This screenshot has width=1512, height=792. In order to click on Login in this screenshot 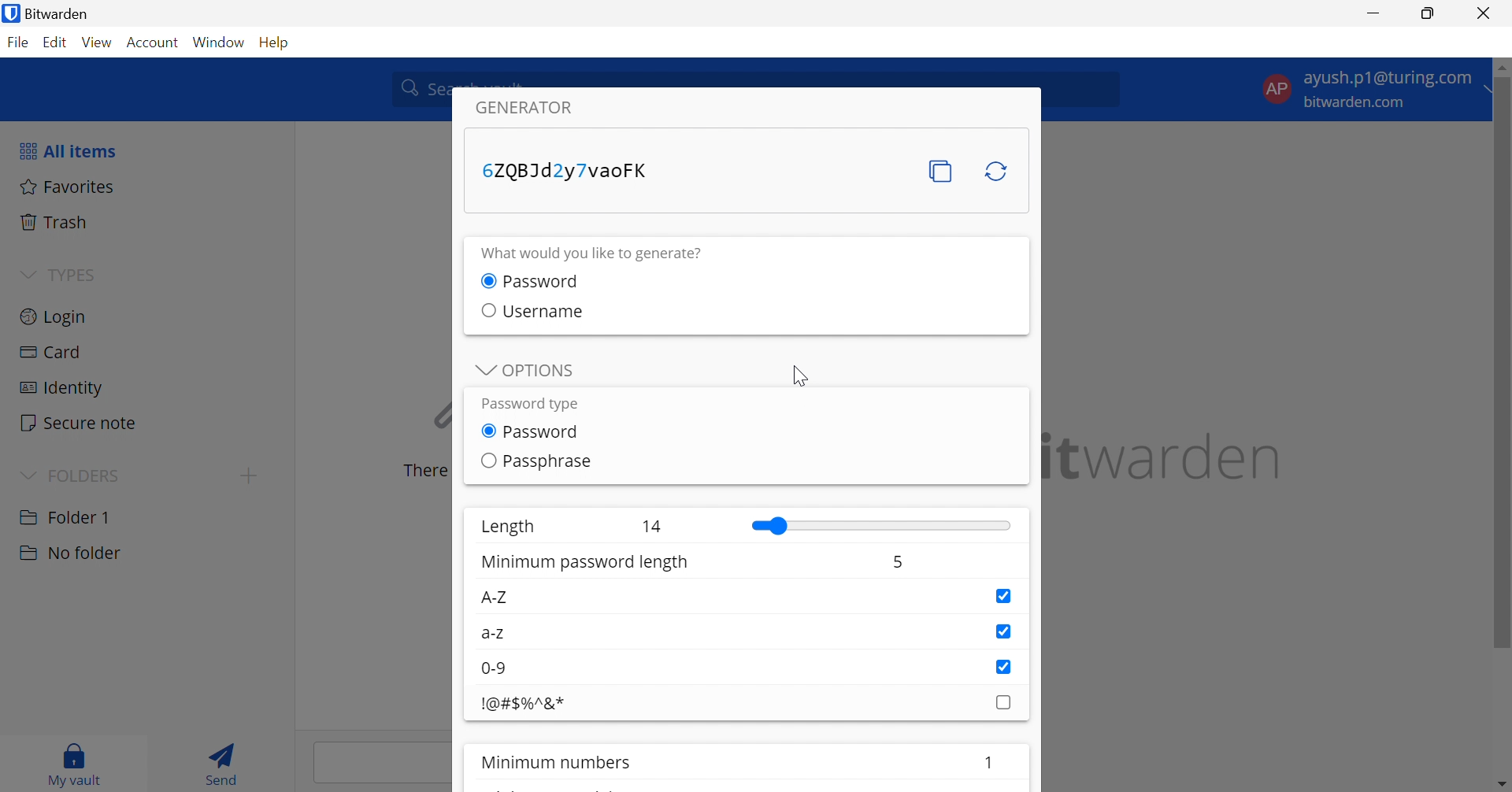, I will do `click(54, 319)`.